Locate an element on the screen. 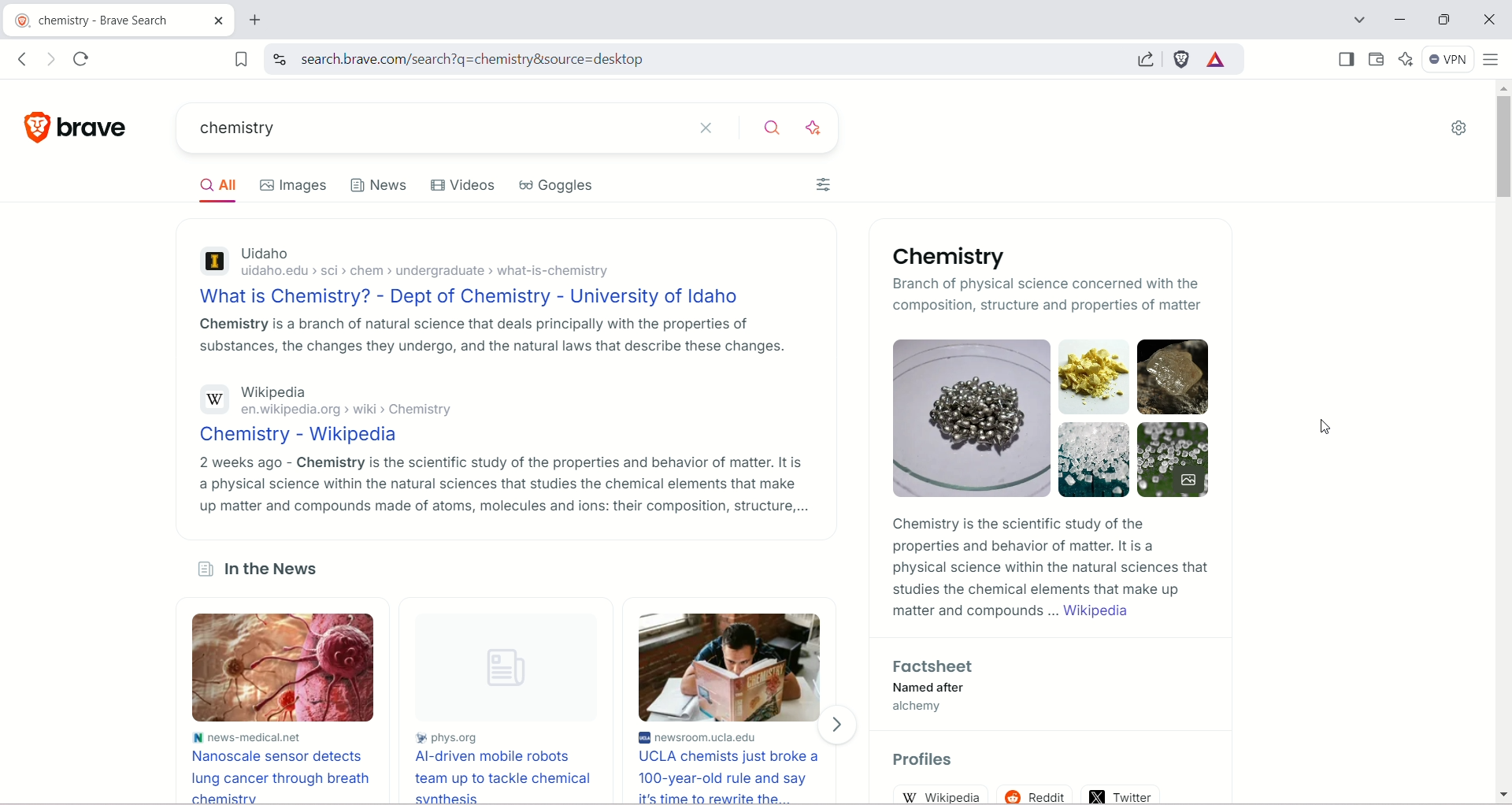 Image resolution: width=1512 pixels, height=805 pixels. News logo is located at coordinates (202, 568).